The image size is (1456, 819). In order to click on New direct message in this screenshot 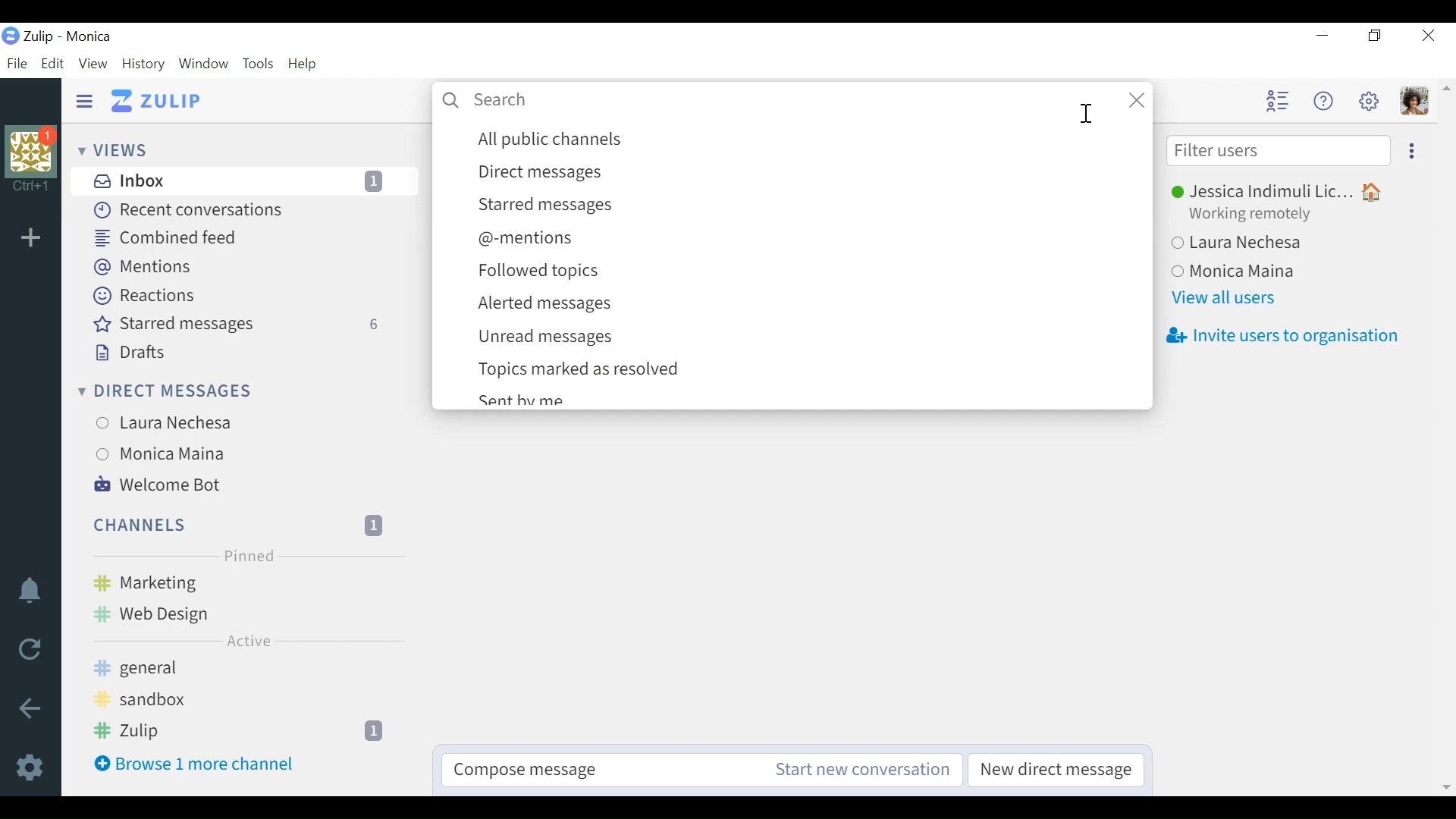, I will do `click(1062, 770)`.